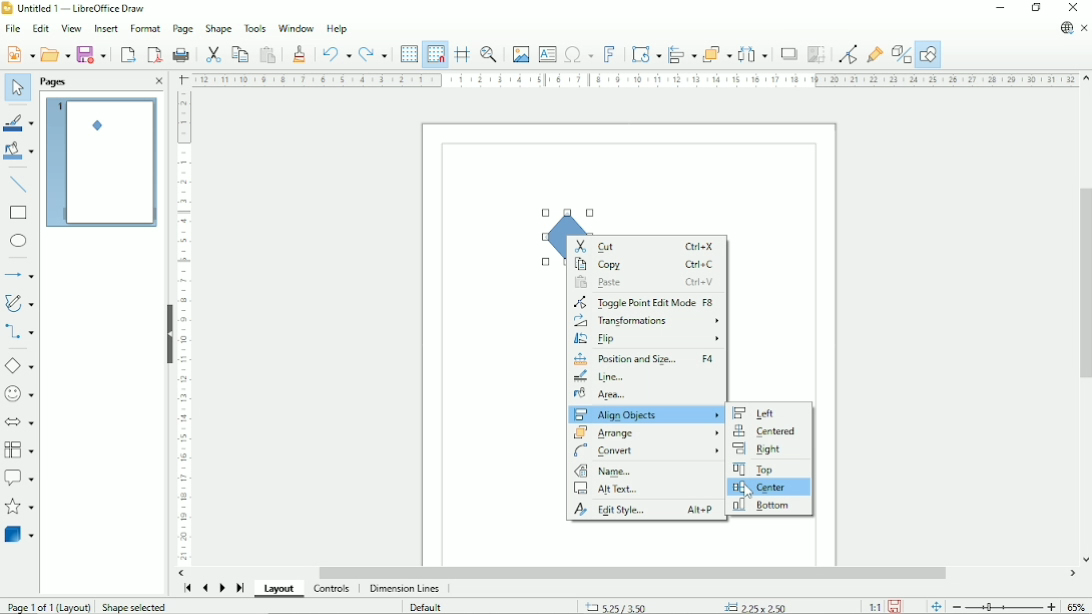  I want to click on Cut, so click(647, 245).